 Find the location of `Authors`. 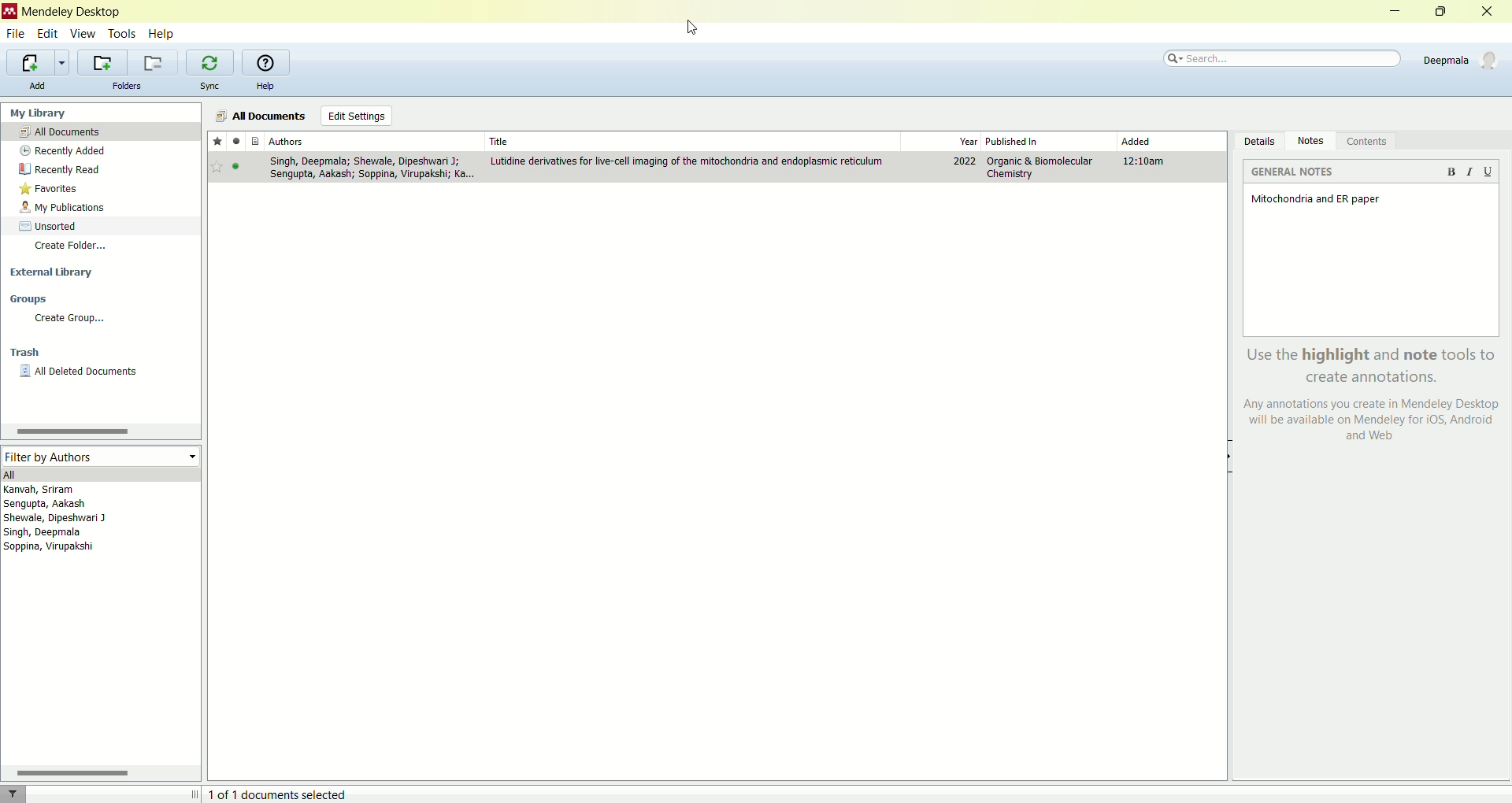

Authors is located at coordinates (372, 141).